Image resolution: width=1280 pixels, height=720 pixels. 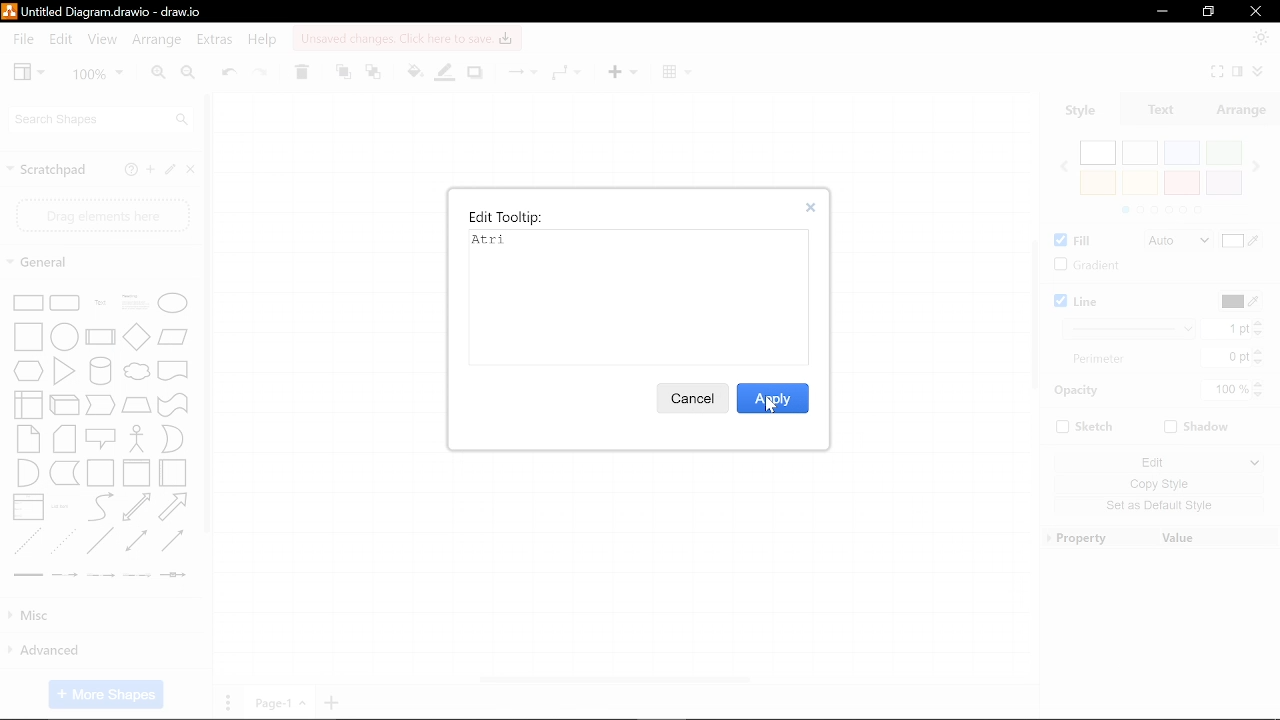 I want to click on Edit tooltip, so click(x=505, y=215).